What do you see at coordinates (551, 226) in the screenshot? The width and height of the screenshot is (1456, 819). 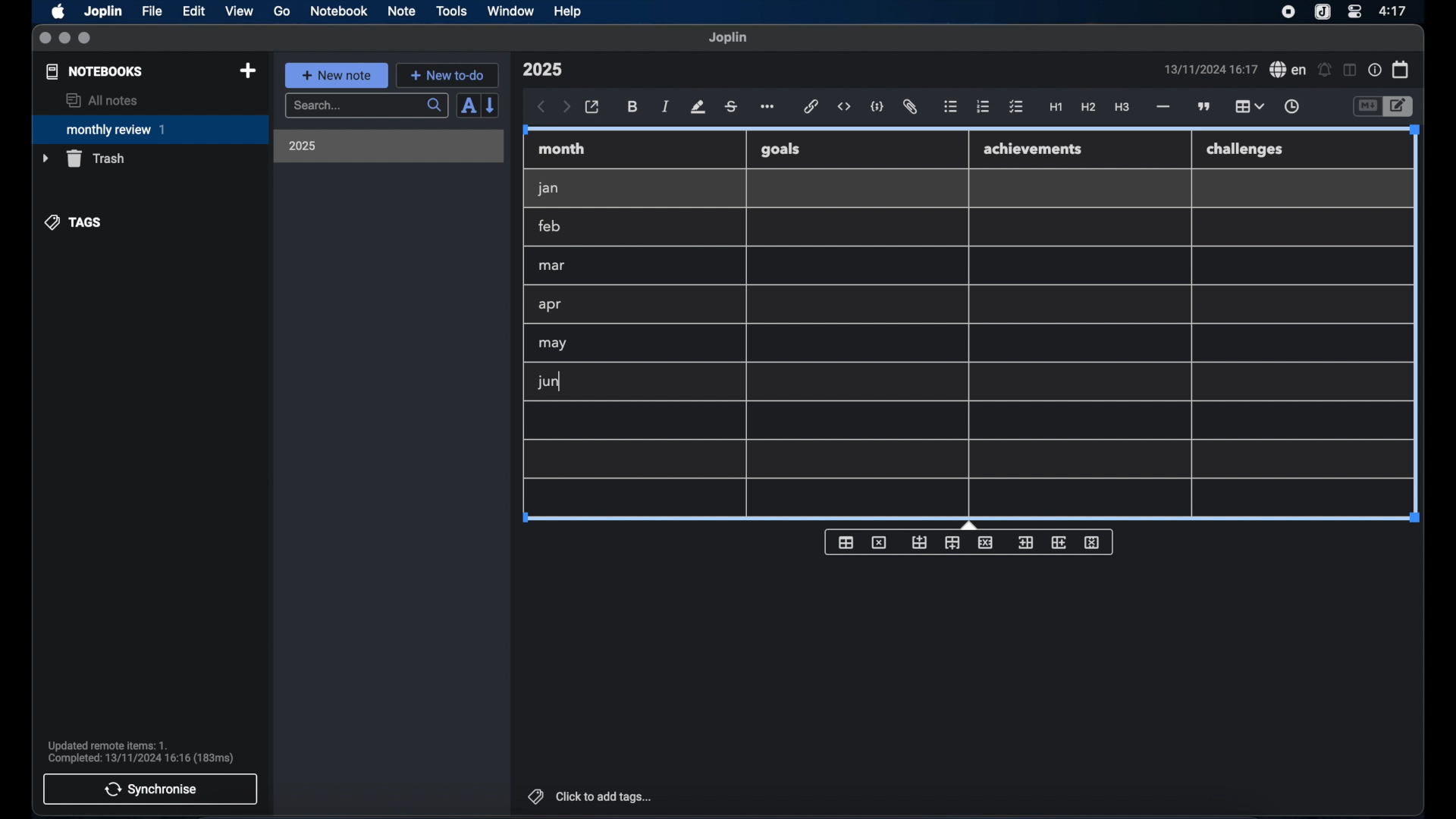 I see `feb` at bounding box center [551, 226].